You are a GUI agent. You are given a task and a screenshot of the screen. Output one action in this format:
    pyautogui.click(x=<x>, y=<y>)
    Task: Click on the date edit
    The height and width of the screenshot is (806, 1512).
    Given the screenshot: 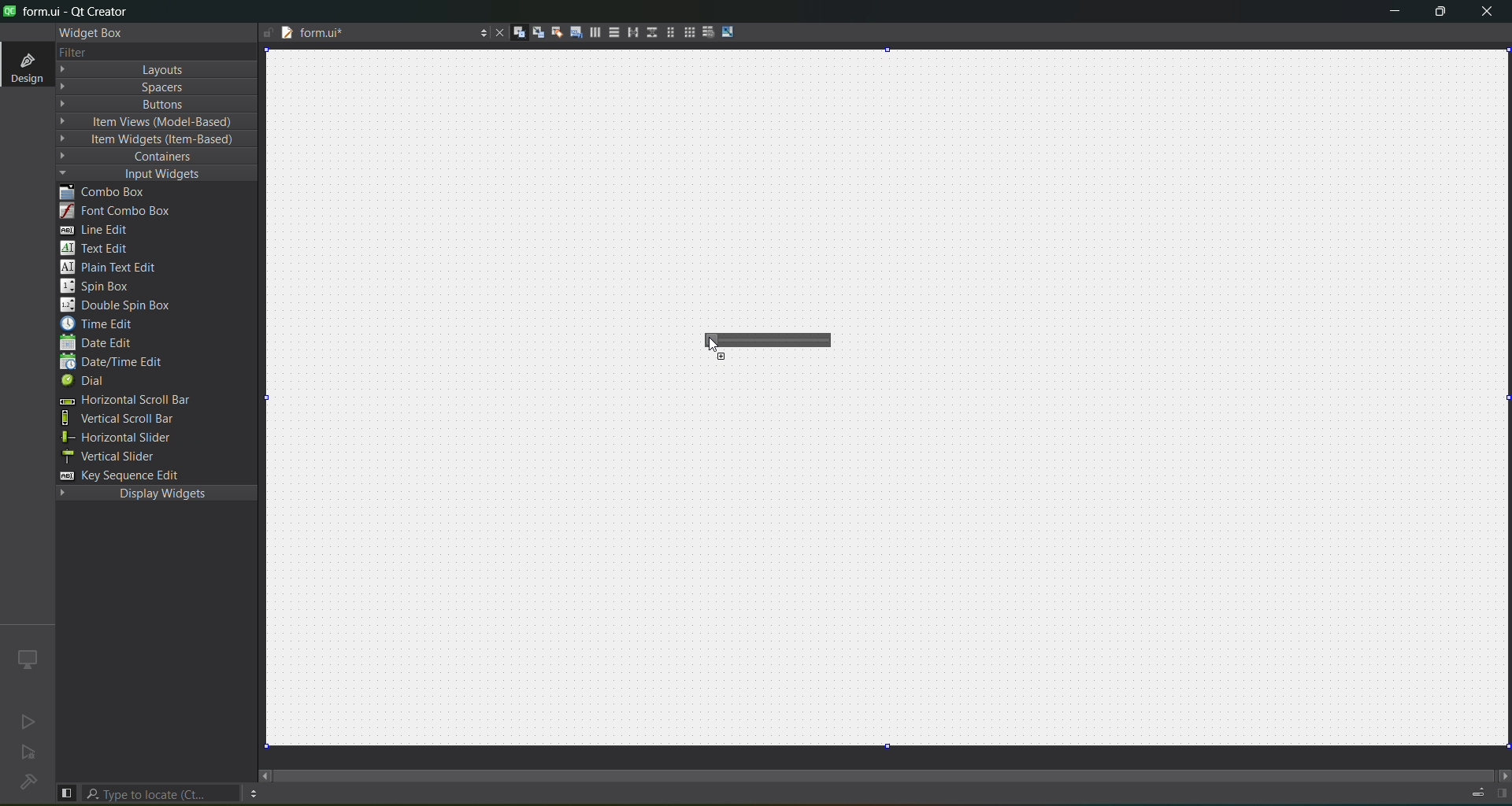 What is the action you would take?
    pyautogui.click(x=108, y=342)
    